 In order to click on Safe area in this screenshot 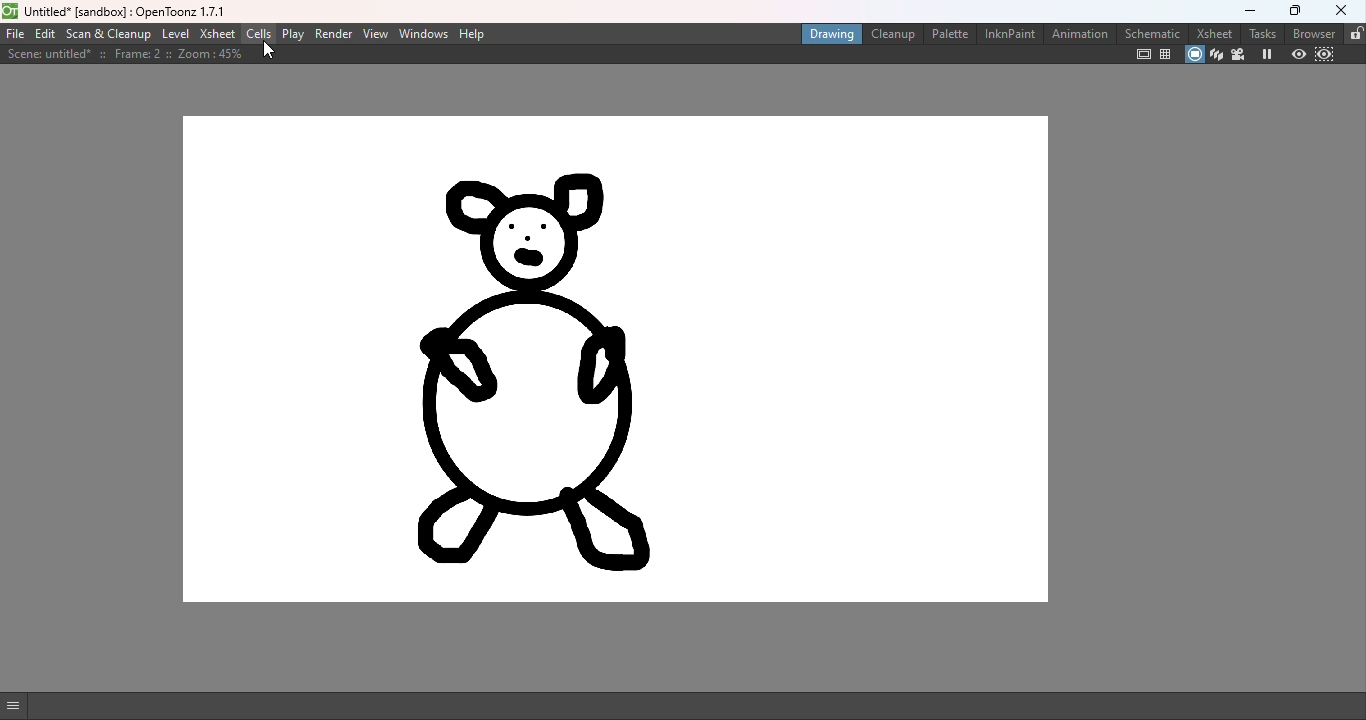, I will do `click(1142, 54)`.